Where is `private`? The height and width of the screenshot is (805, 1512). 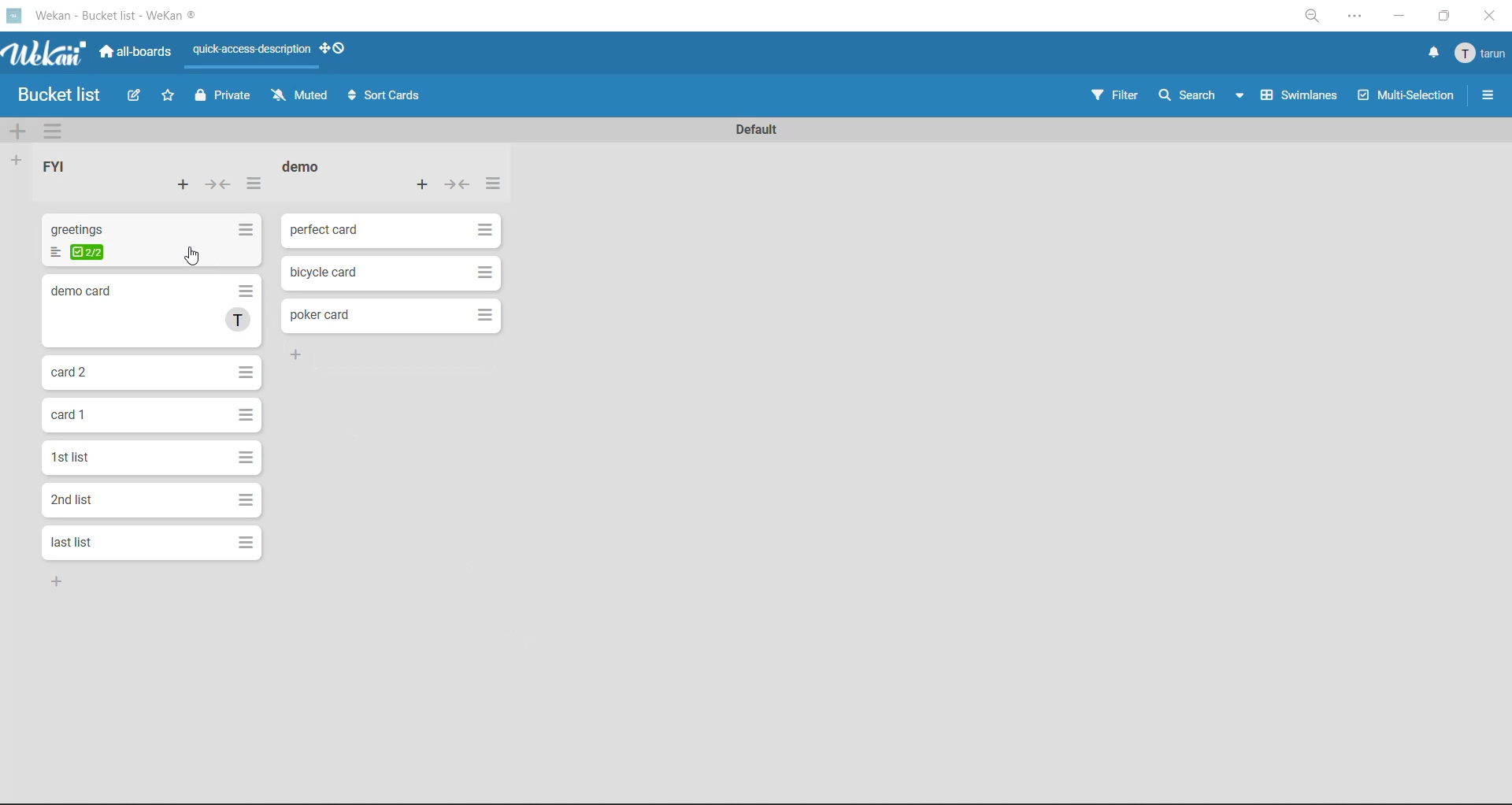
private is located at coordinates (223, 98).